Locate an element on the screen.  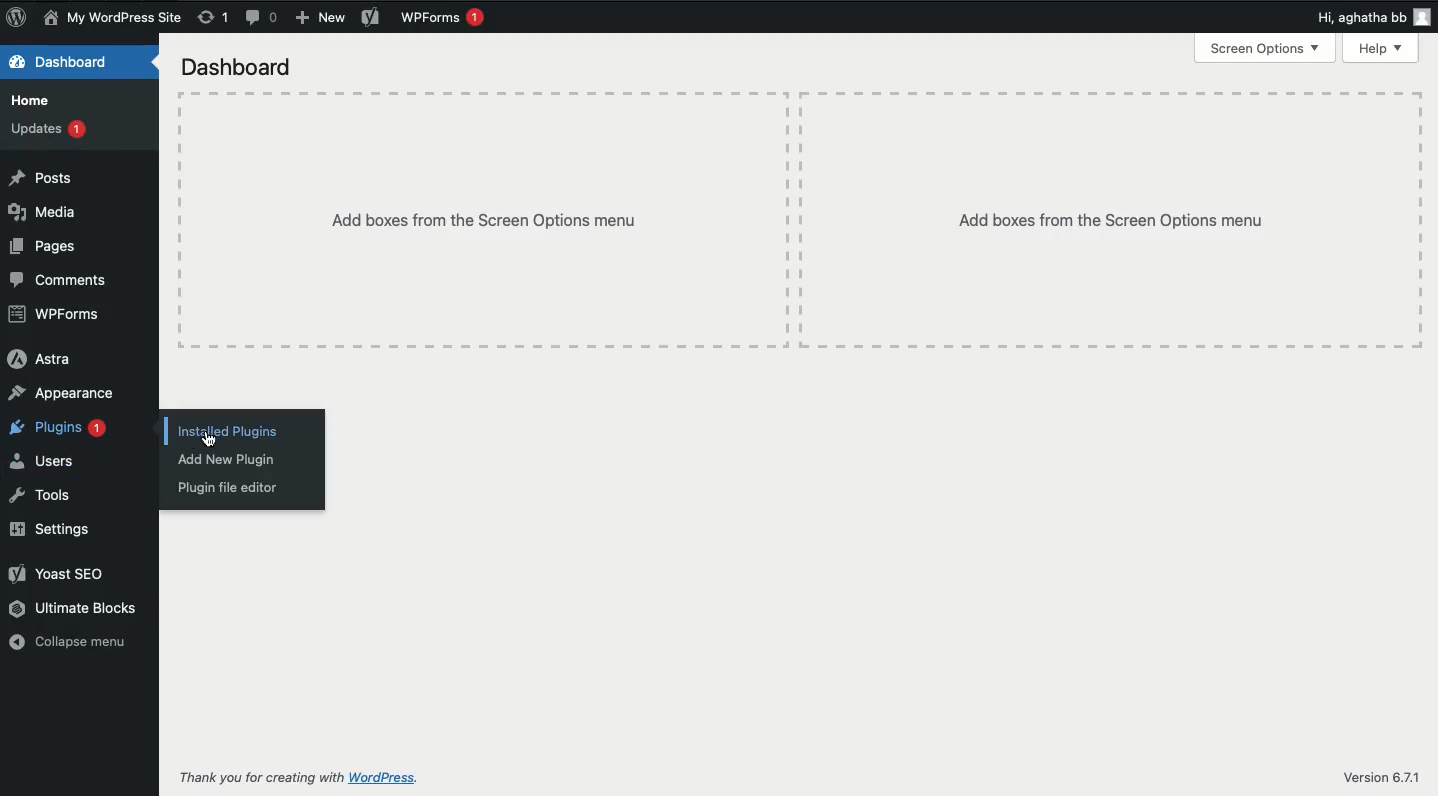
Version 6.7.1 is located at coordinates (1387, 779).